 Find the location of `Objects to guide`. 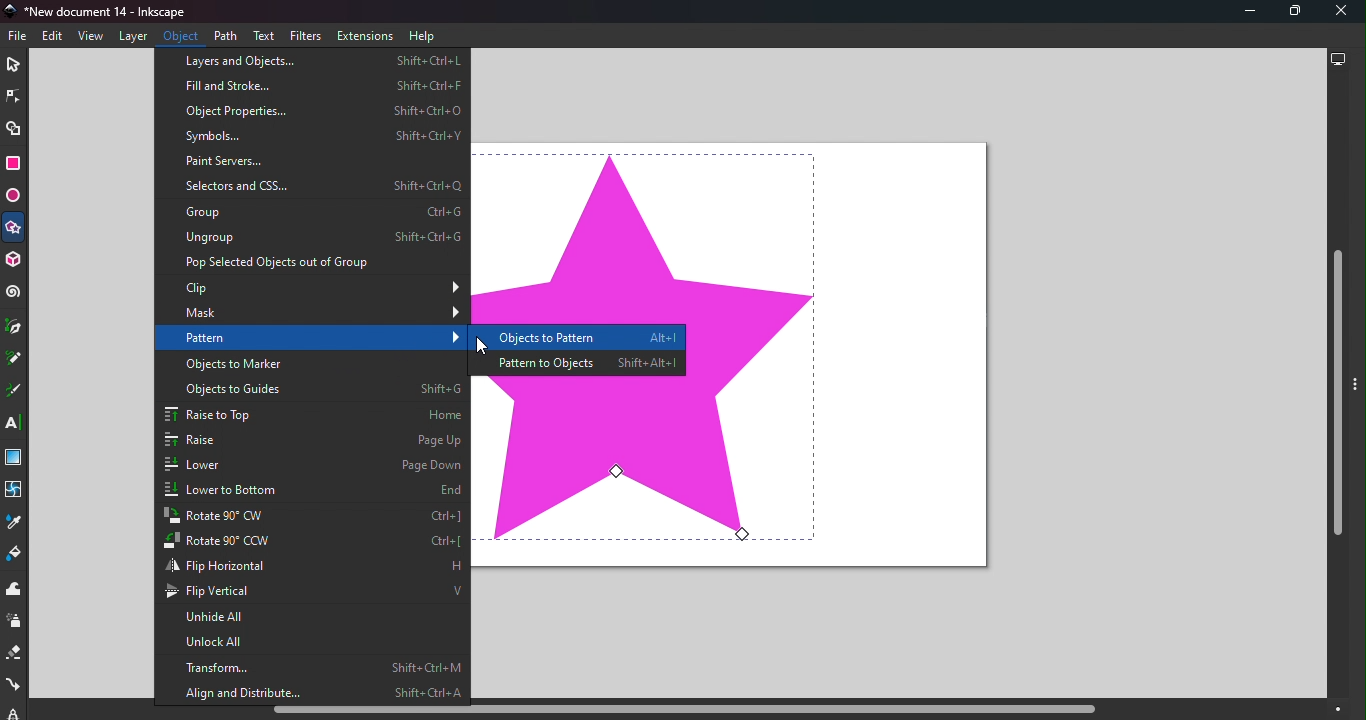

Objects to guide is located at coordinates (317, 391).